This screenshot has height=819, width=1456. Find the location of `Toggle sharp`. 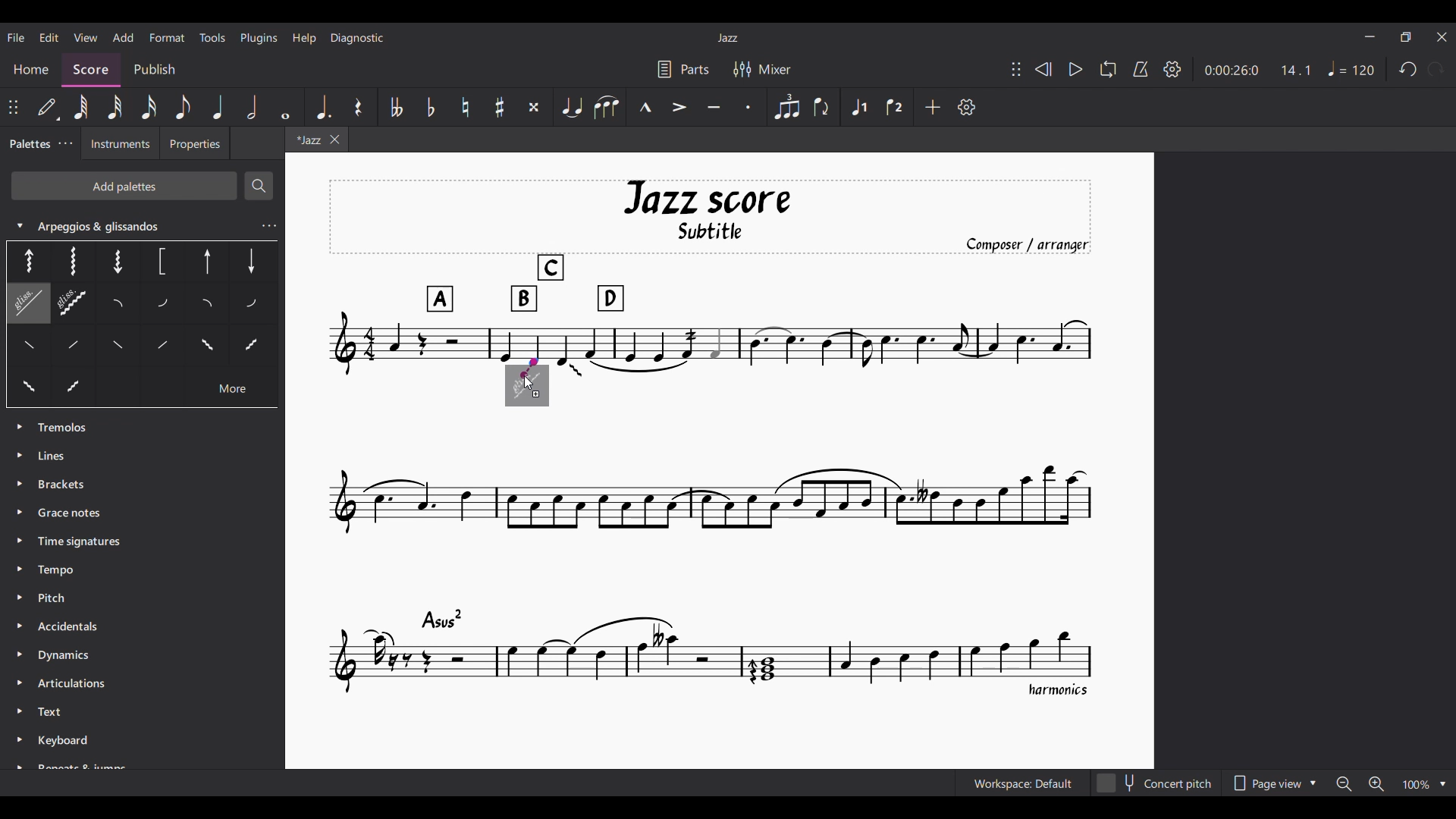

Toggle sharp is located at coordinates (500, 107).